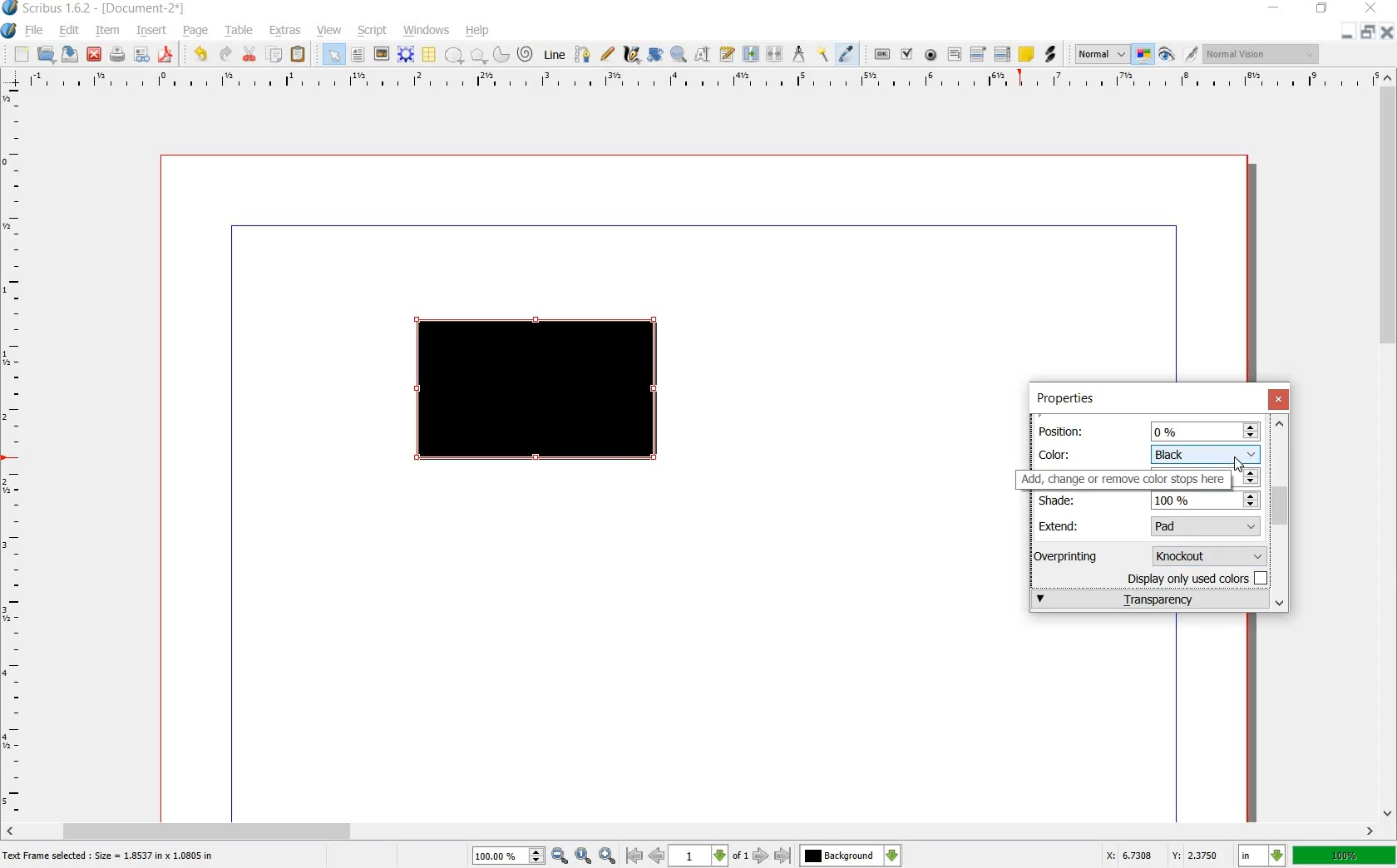 The width and height of the screenshot is (1397, 868). I want to click on ruler, so click(696, 81).